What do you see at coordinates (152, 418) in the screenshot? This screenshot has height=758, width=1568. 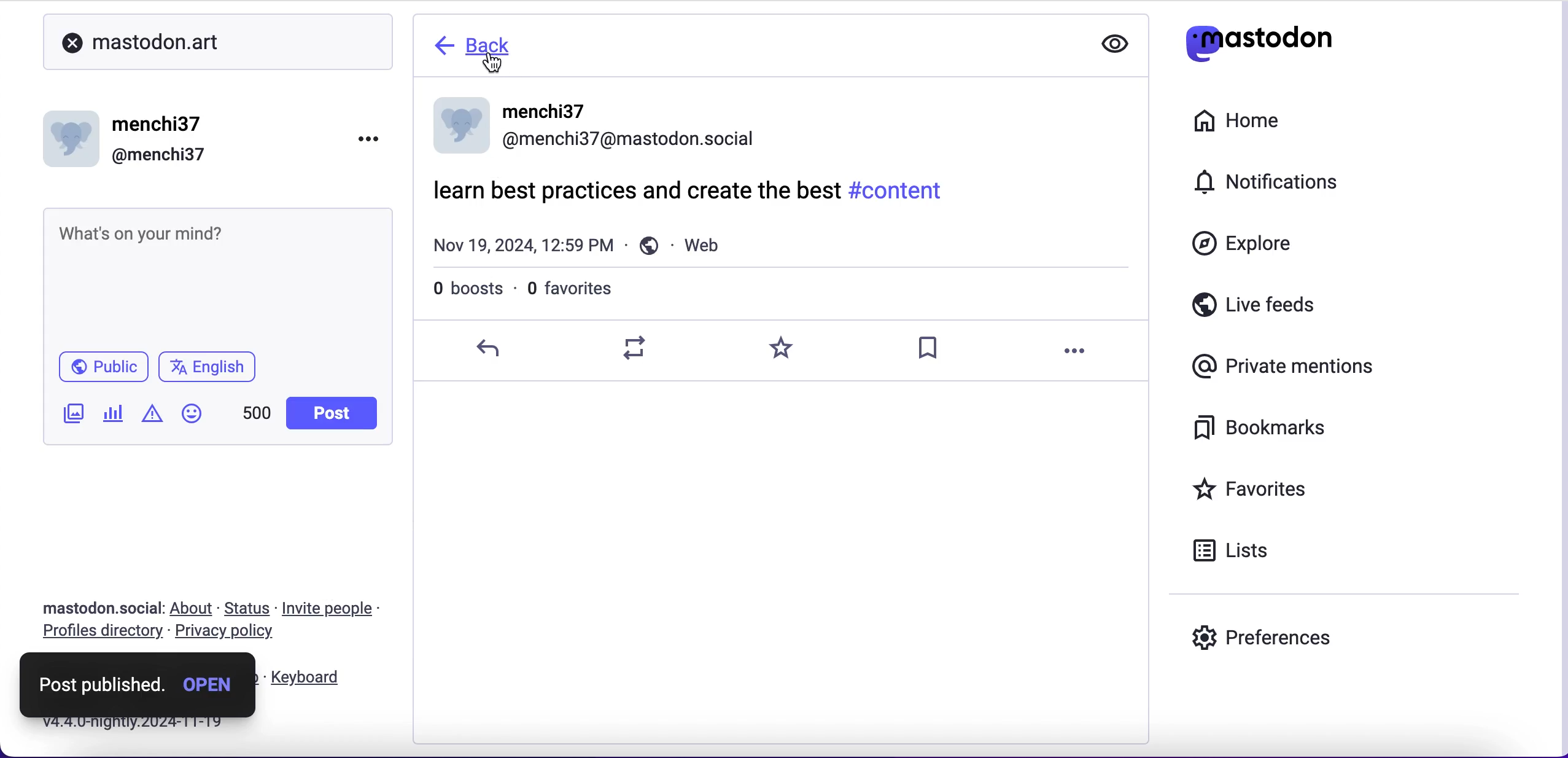 I see `add warnings` at bounding box center [152, 418].